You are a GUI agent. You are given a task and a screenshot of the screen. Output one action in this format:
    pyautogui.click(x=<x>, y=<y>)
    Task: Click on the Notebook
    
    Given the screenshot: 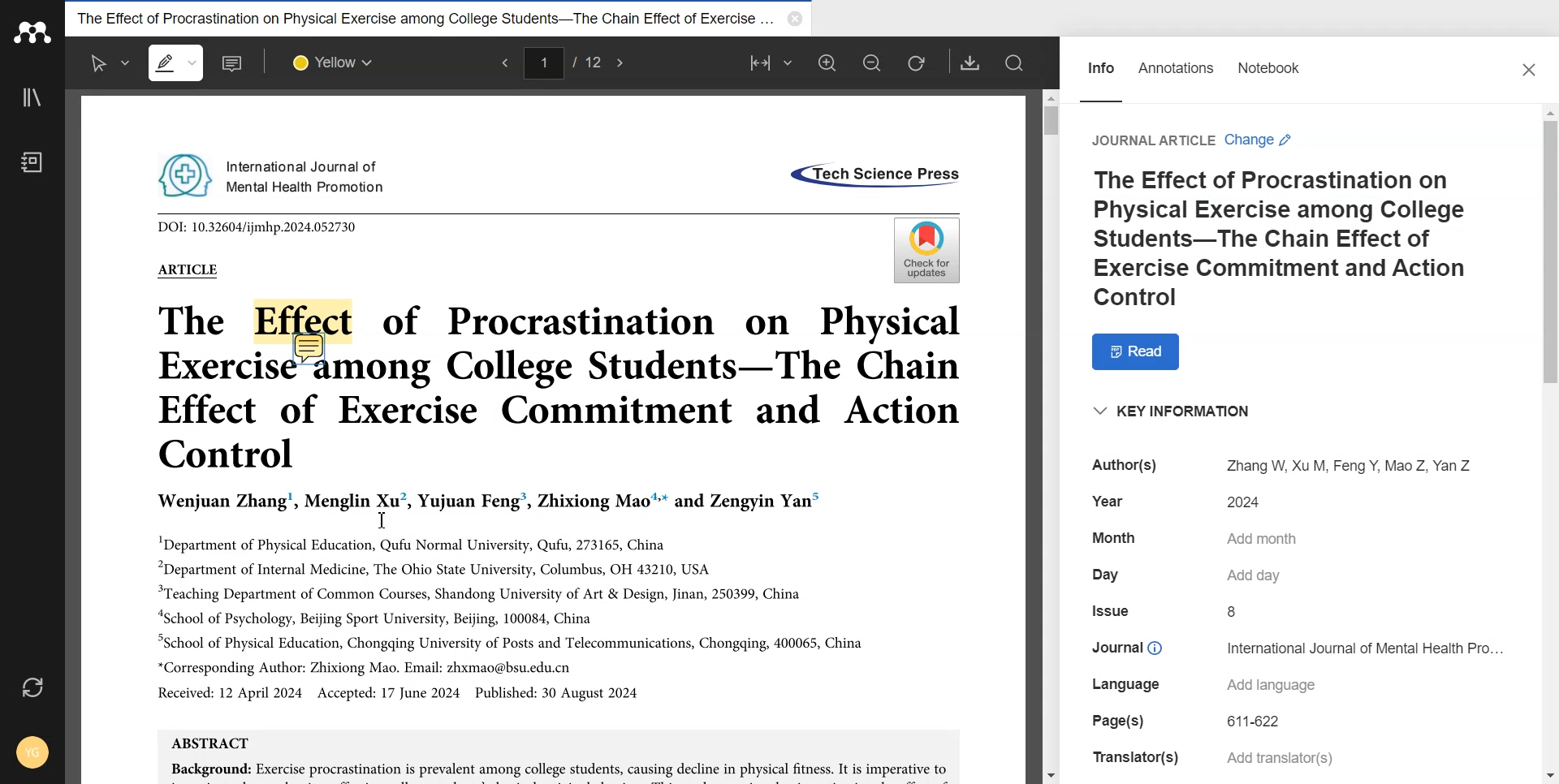 What is the action you would take?
    pyautogui.click(x=32, y=162)
    